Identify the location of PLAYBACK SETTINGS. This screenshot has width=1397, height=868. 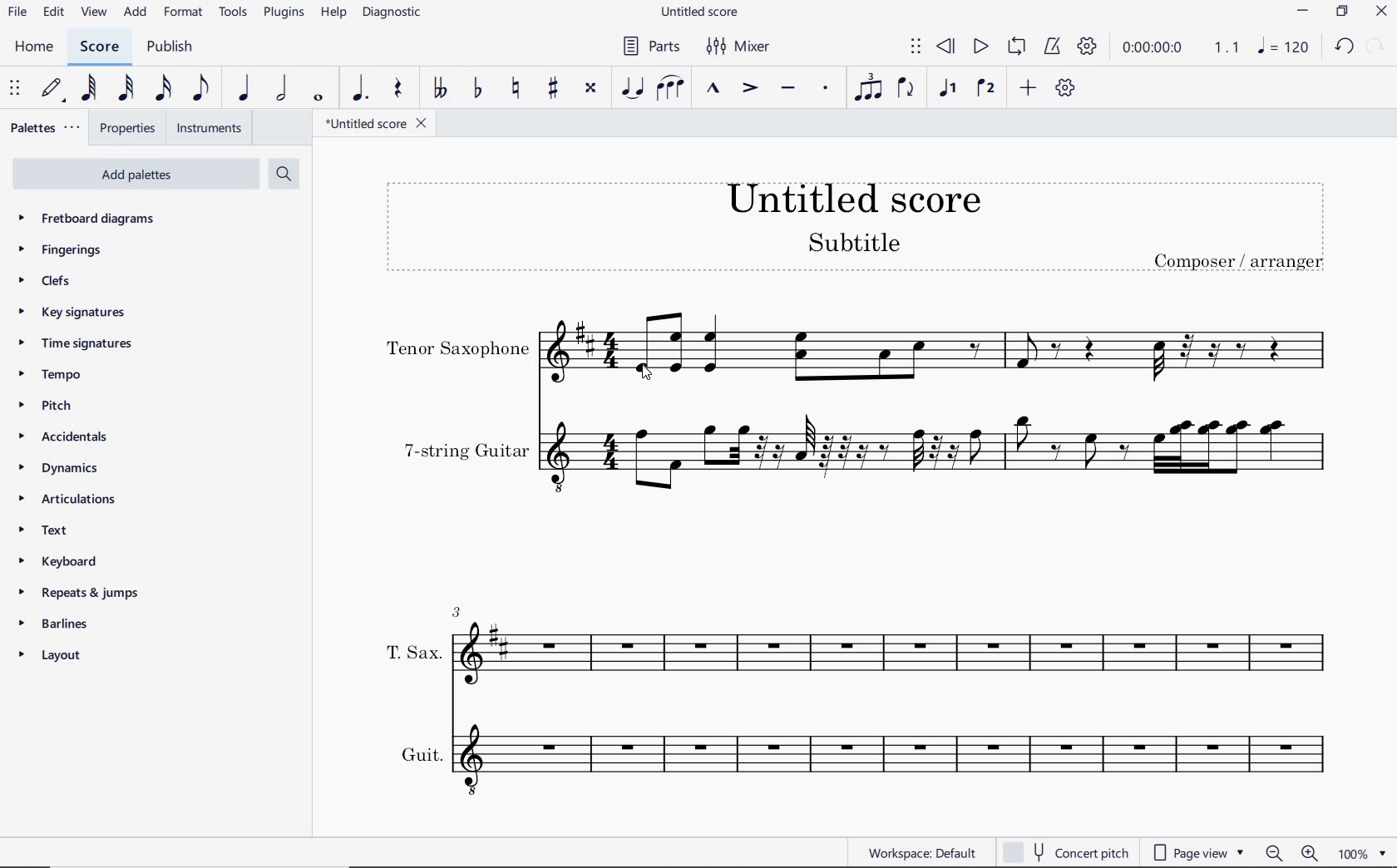
(1088, 47).